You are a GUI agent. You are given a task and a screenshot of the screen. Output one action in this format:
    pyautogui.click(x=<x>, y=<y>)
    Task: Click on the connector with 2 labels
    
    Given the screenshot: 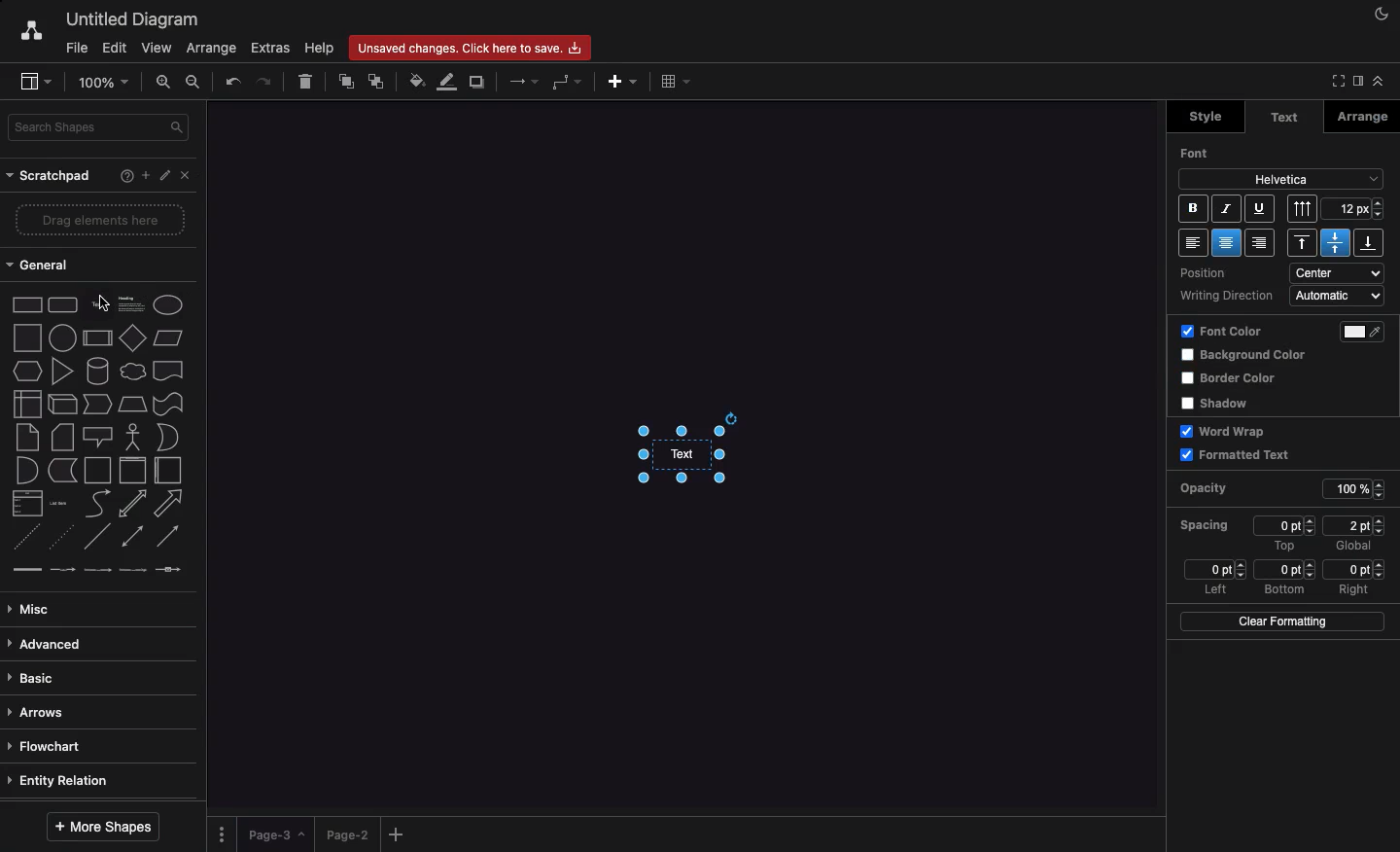 What is the action you would take?
    pyautogui.click(x=97, y=570)
    